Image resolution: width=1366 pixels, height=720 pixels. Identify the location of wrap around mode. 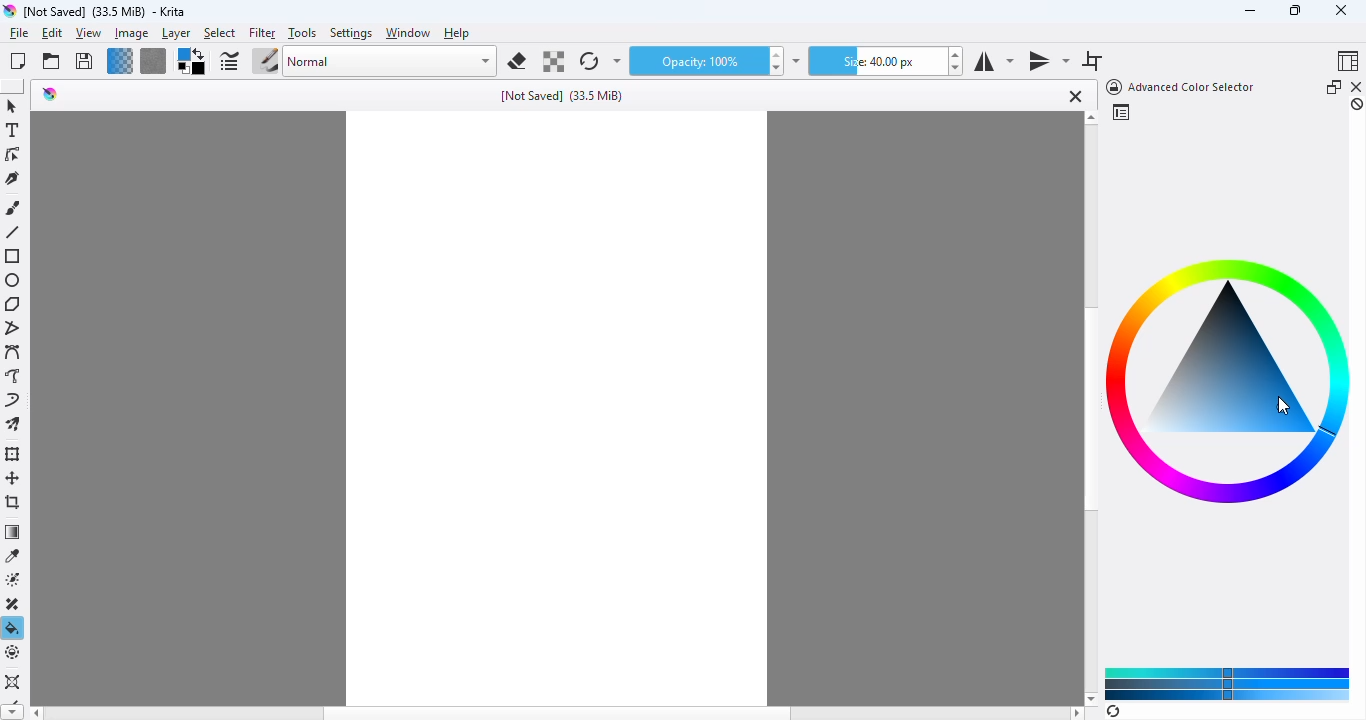
(1092, 61).